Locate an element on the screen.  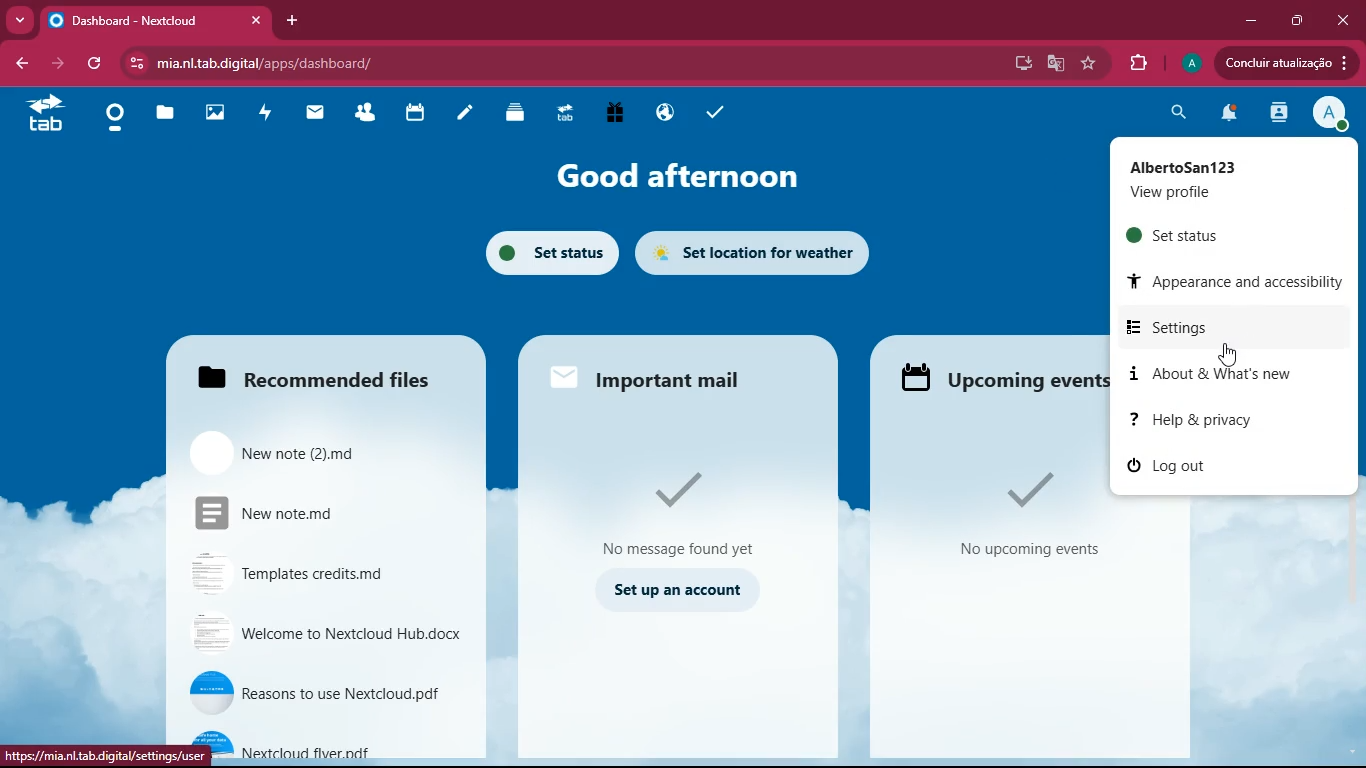
set status is located at coordinates (543, 251).